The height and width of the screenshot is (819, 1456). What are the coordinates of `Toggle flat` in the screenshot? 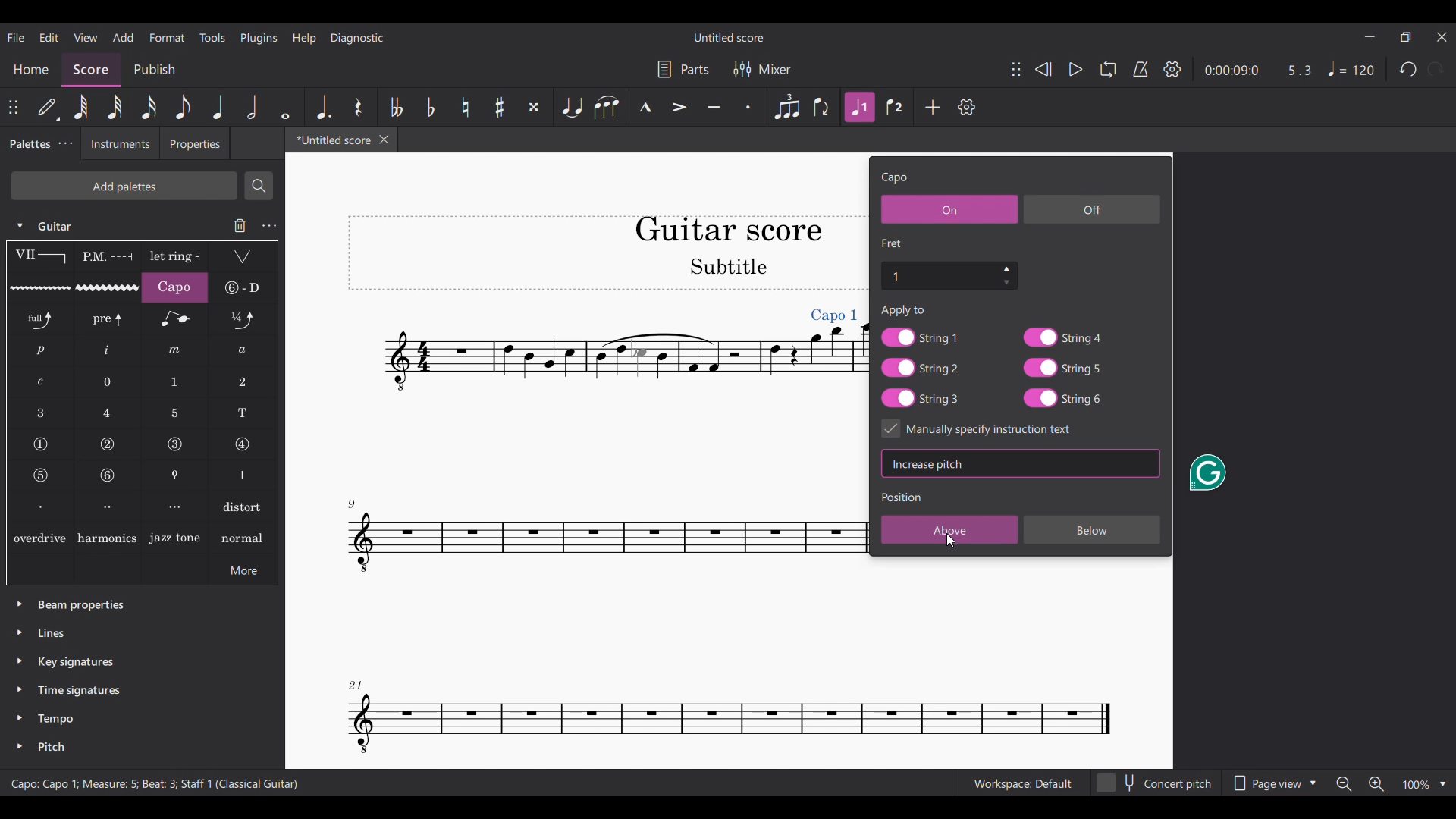 It's located at (430, 107).